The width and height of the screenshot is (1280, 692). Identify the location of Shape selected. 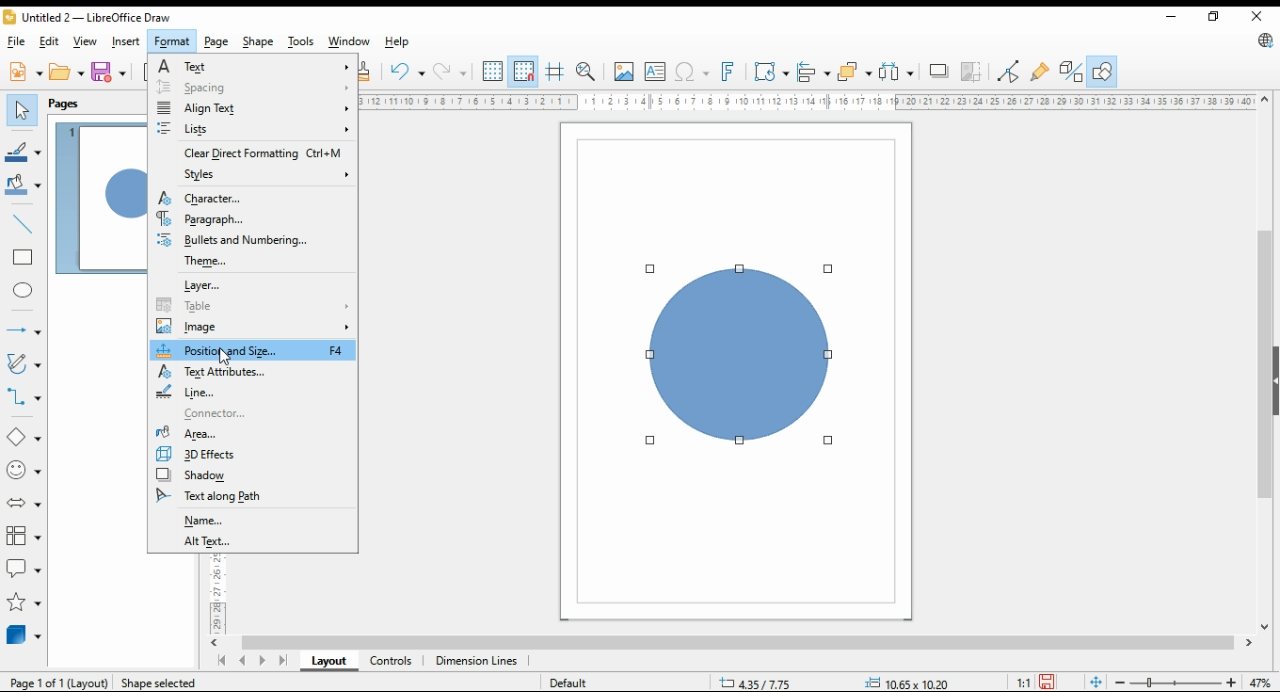
(160, 682).